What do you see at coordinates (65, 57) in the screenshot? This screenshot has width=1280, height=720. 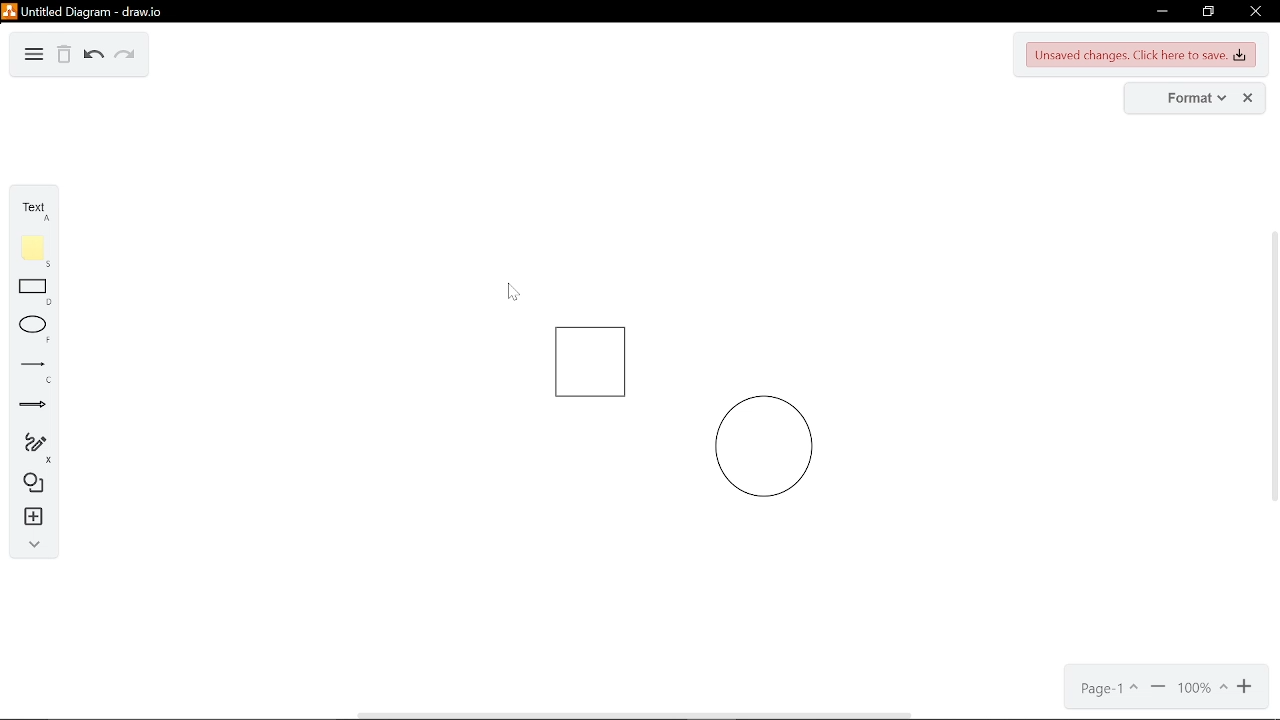 I see `delete` at bounding box center [65, 57].